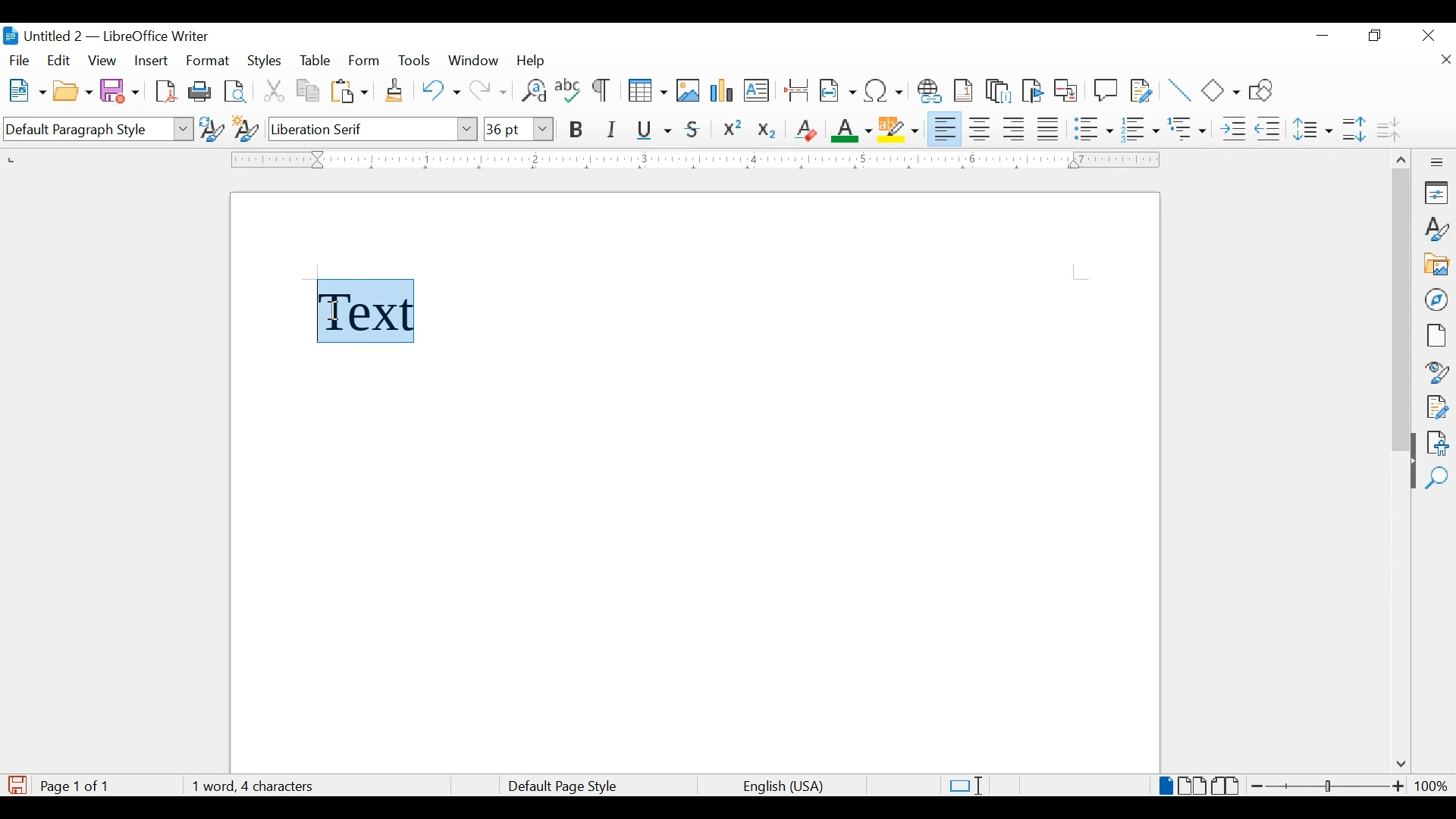 The width and height of the screenshot is (1456, 819). What do you see at coordinates (72, 92) in the screenshot?
I see `open` at bounding box center [72, 92].